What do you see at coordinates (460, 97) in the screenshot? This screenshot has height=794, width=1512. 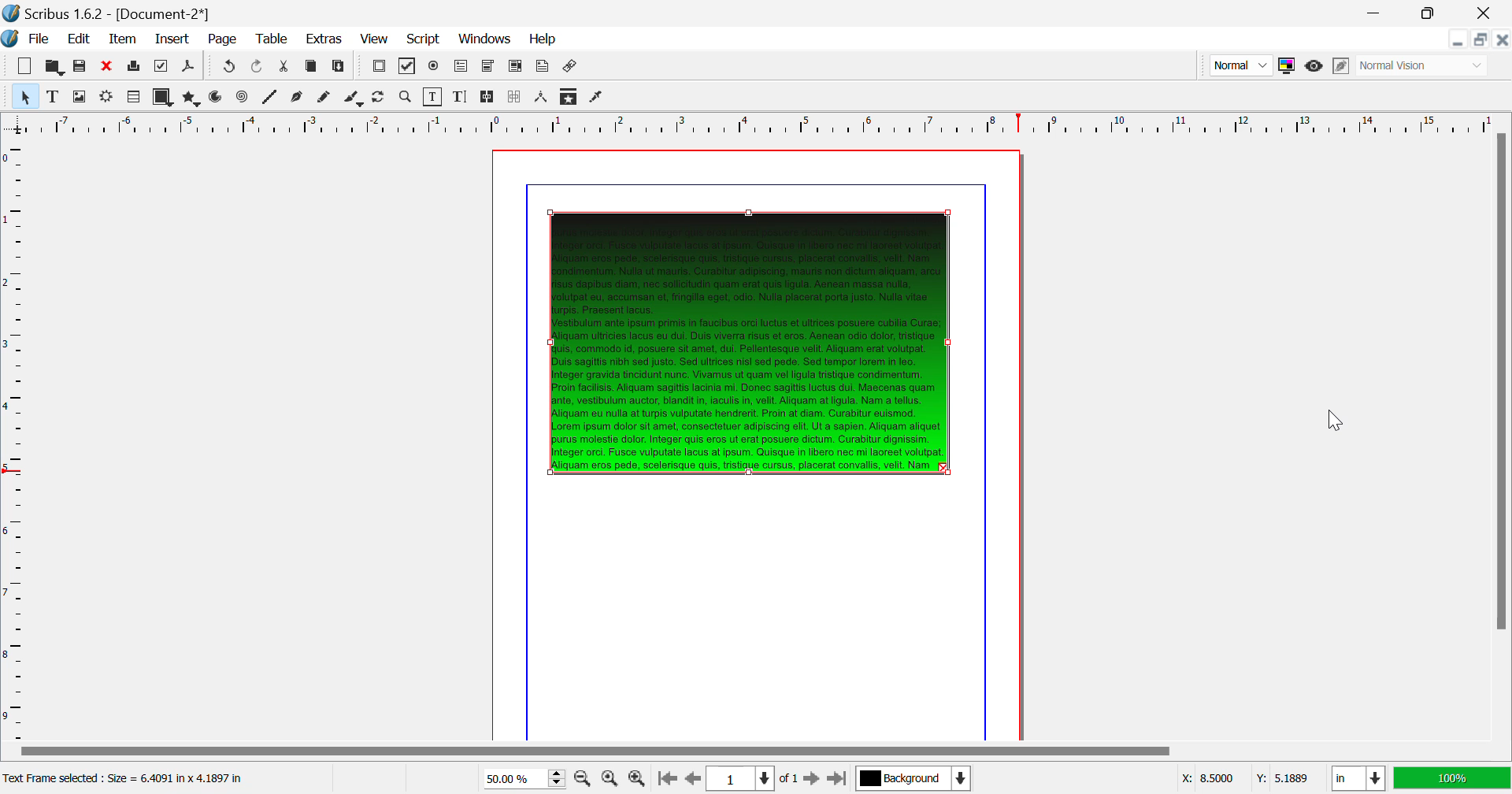 I see `Edit Text with Story Editor` at bounding box center [460, 97].